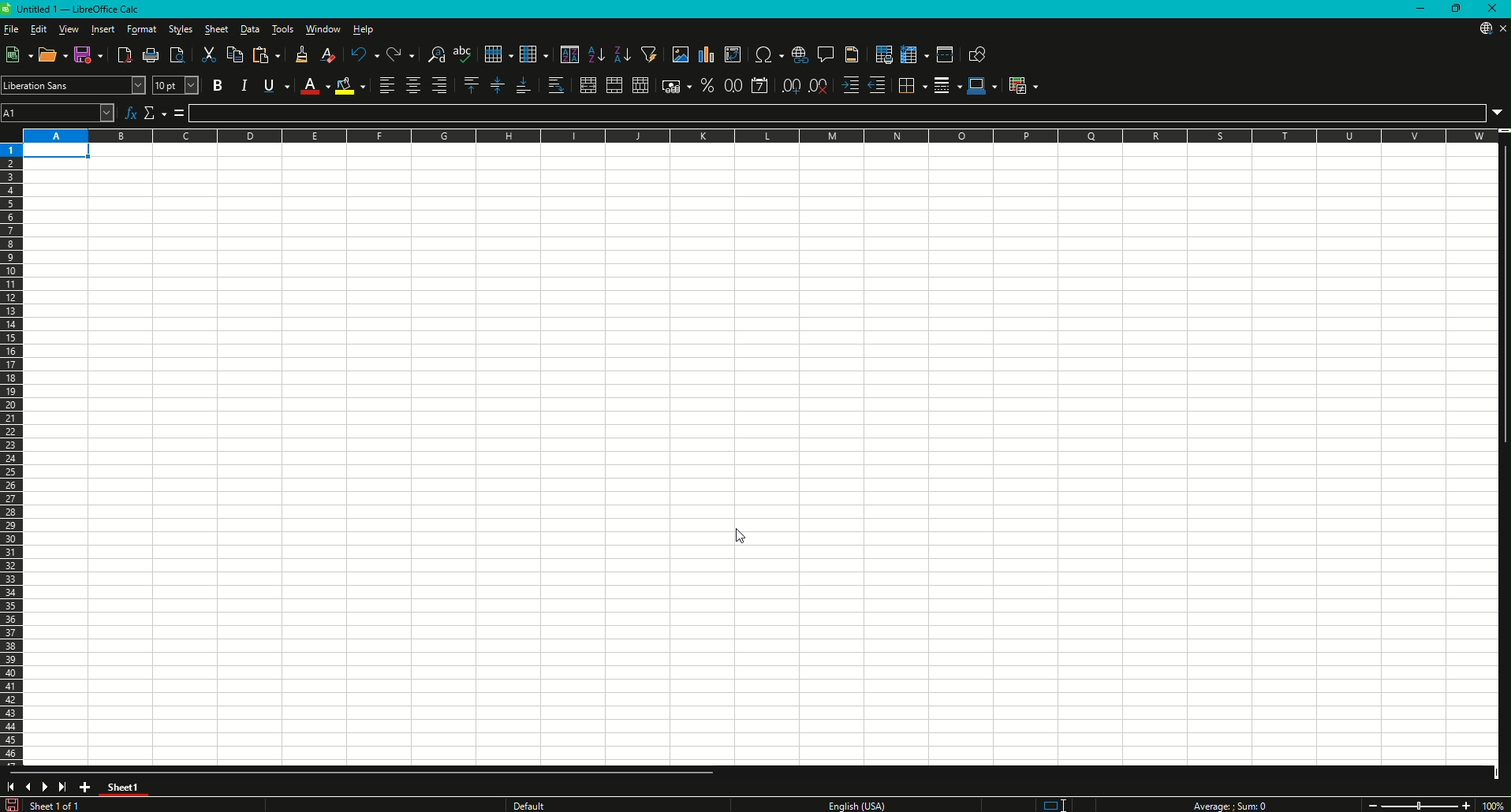  I want to click on Selected cell, so click(57, 151).